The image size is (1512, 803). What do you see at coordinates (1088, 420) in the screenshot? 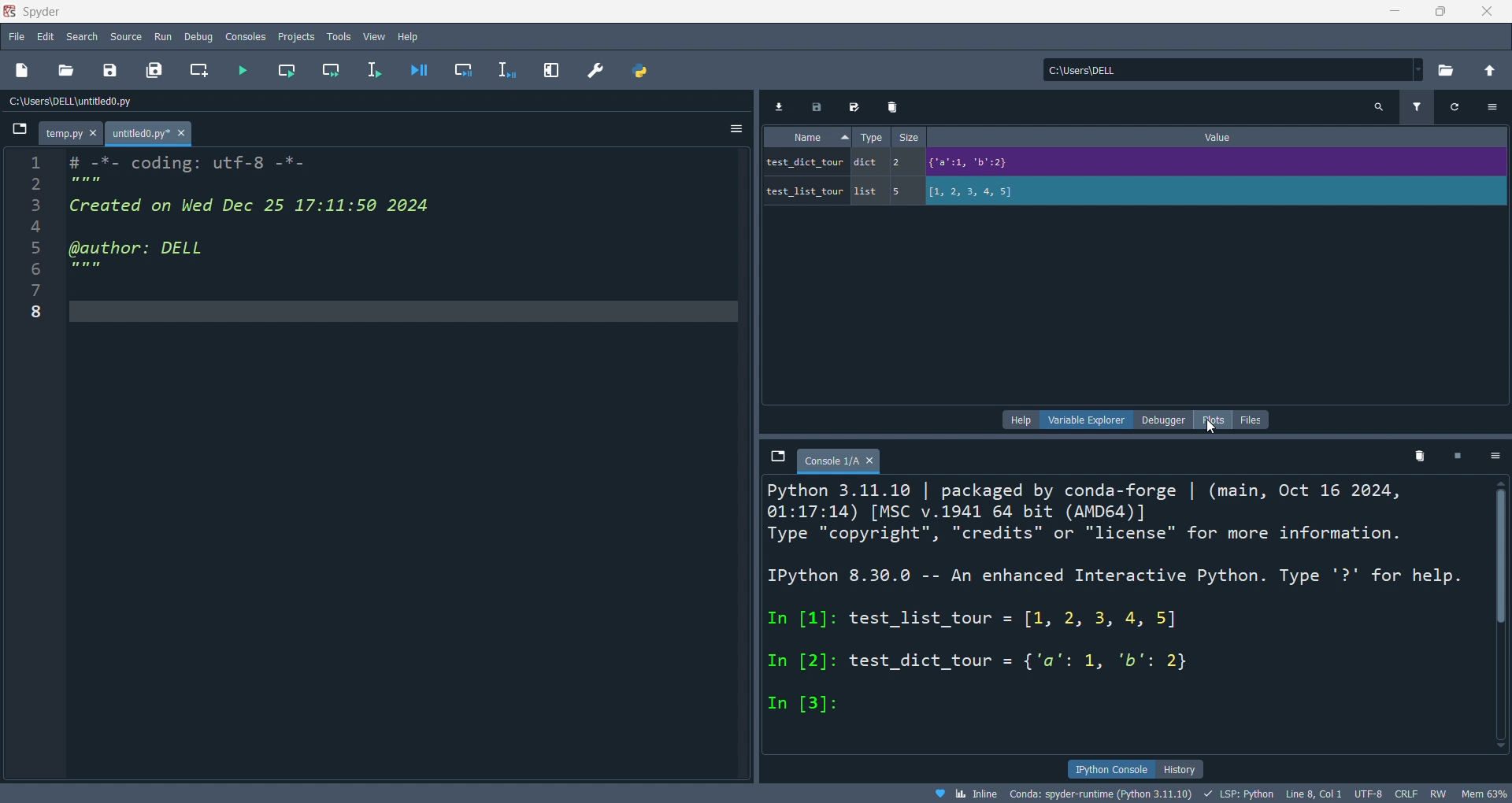
I see `variable explorer` at bounding box center [1088, 420].